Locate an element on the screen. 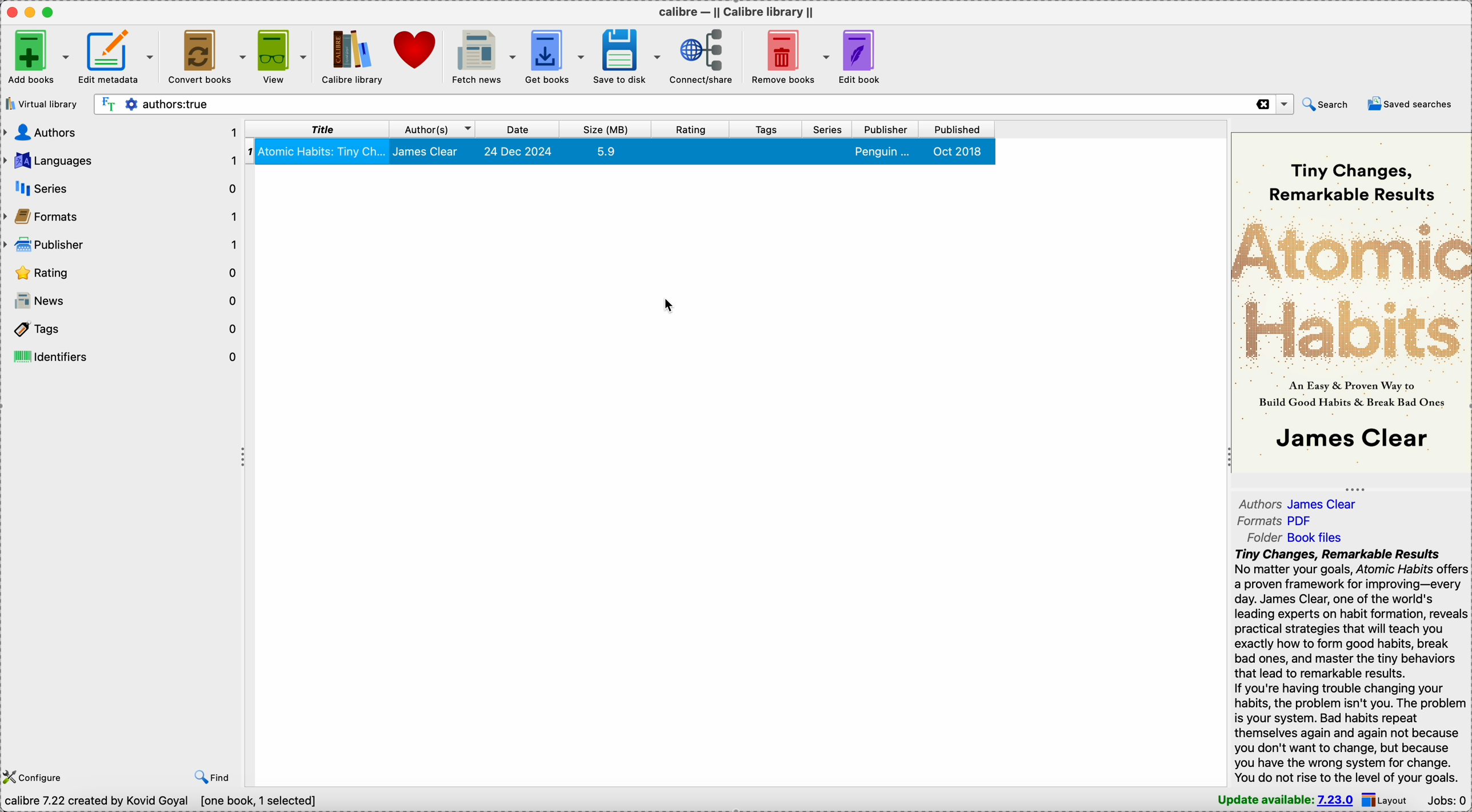 The height and width of the screenshot is (812, 1472). Calibre library is located at coordinates (347, 58).